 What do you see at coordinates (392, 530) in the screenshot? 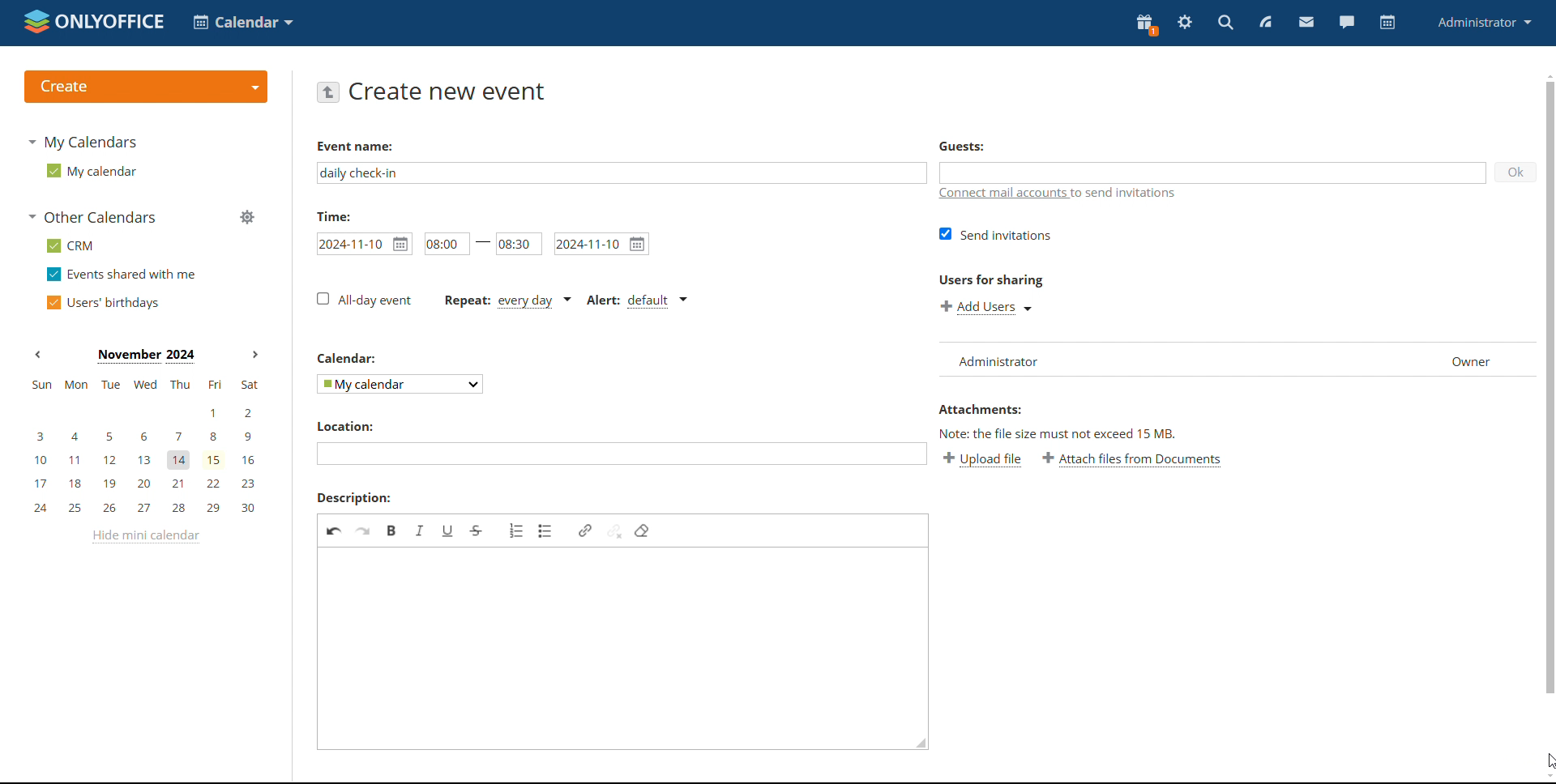
I see `bold` at bounding box center [392, 530].